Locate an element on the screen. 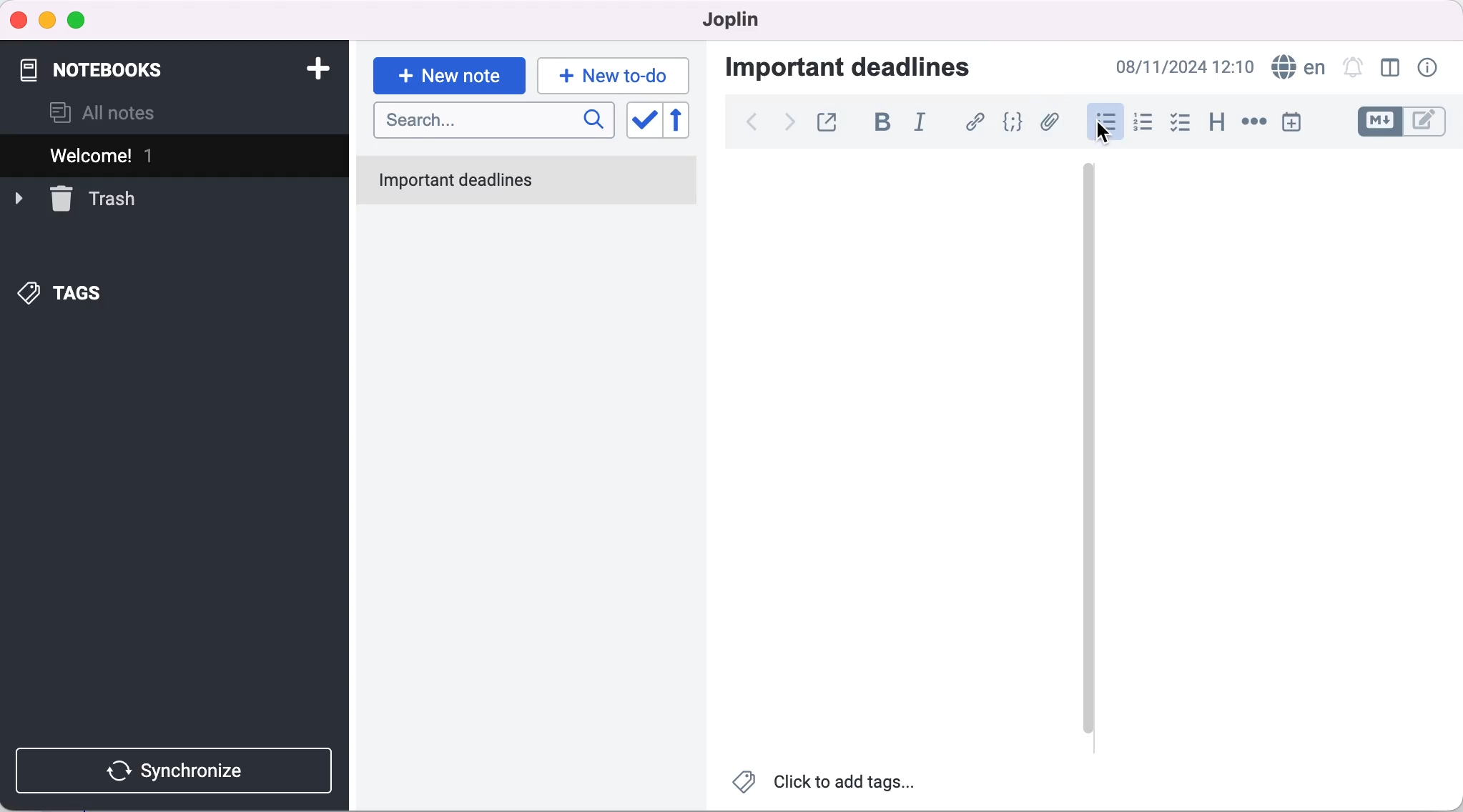  add notebook is located at coordinates (315, 67).